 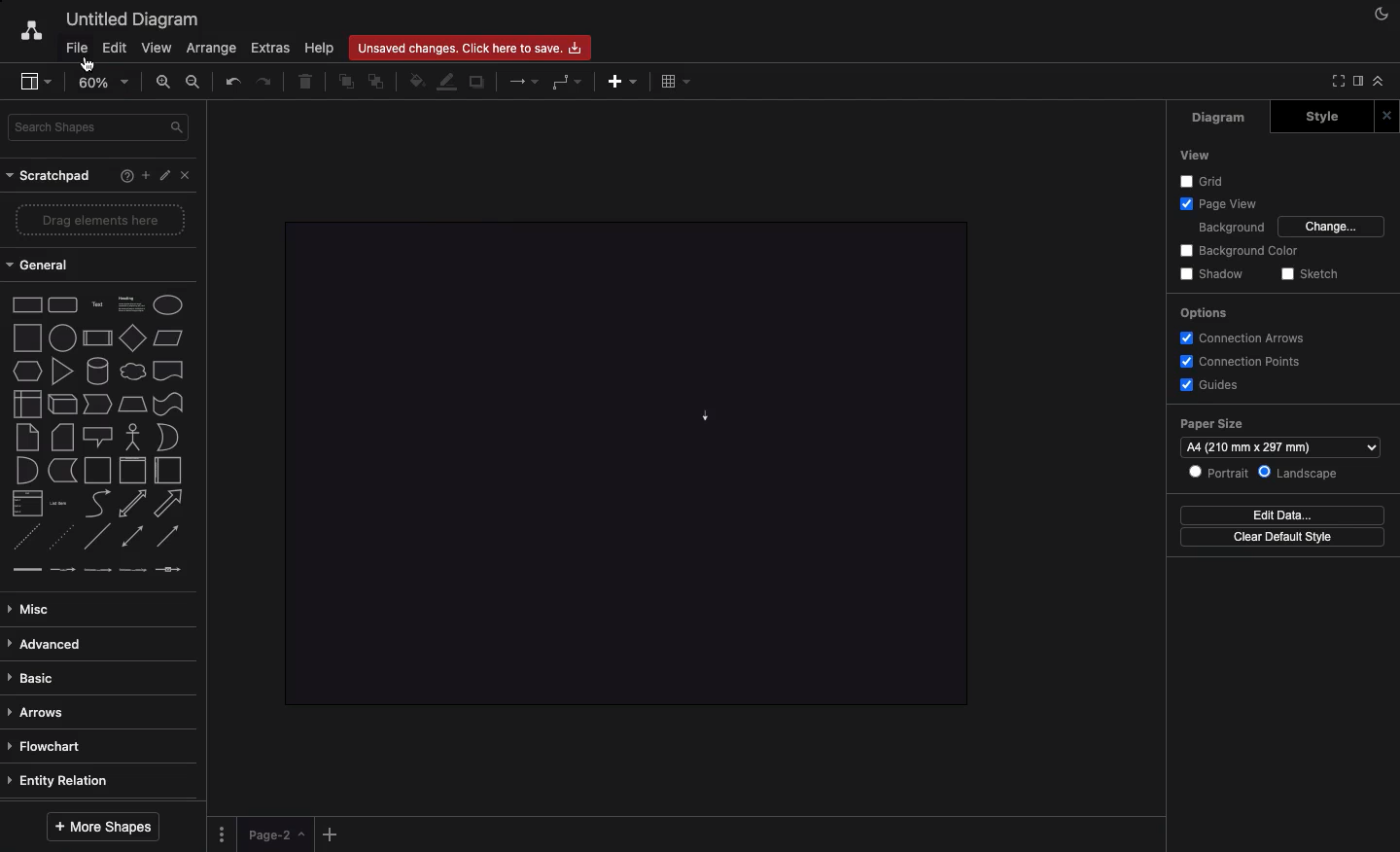 I want to click on Sidebar, so click(x=1356, y=83).